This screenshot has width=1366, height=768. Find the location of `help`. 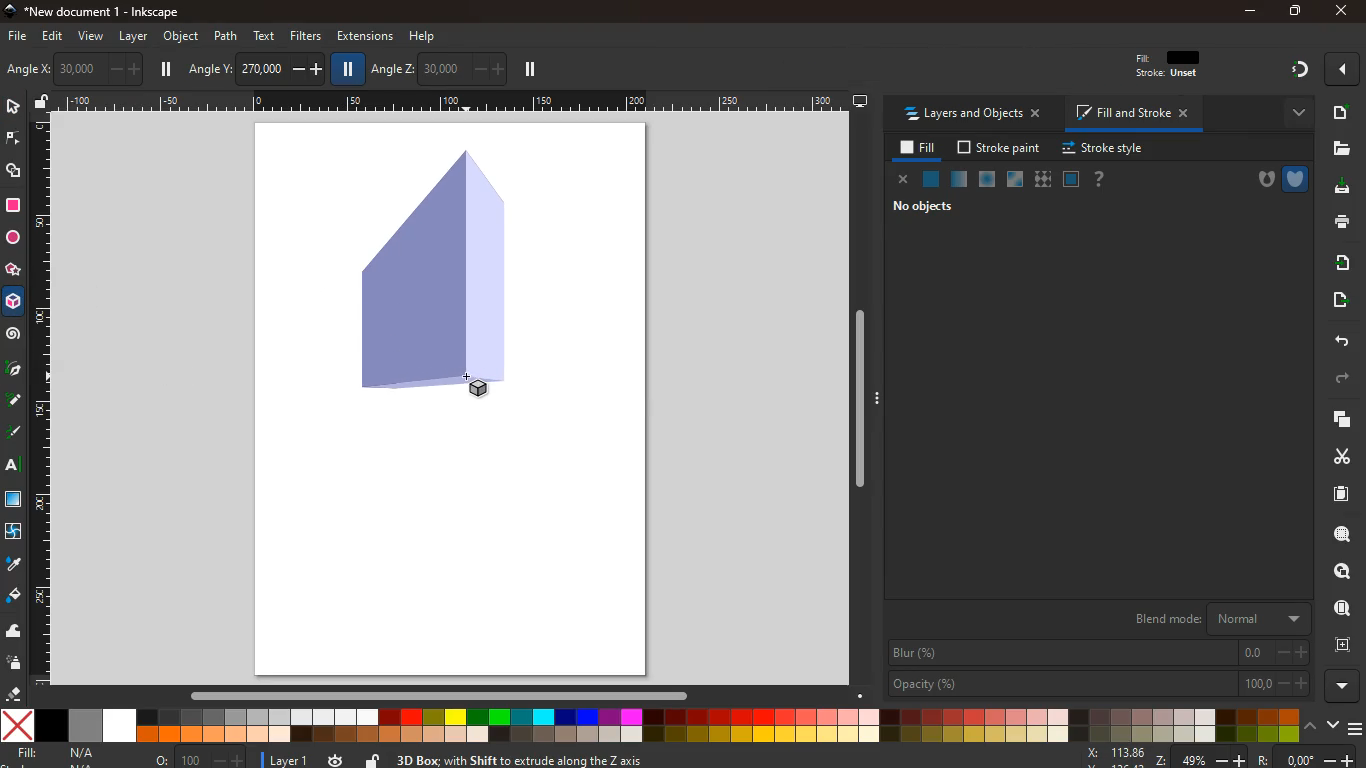

help is located at coordinates (1100, 179).